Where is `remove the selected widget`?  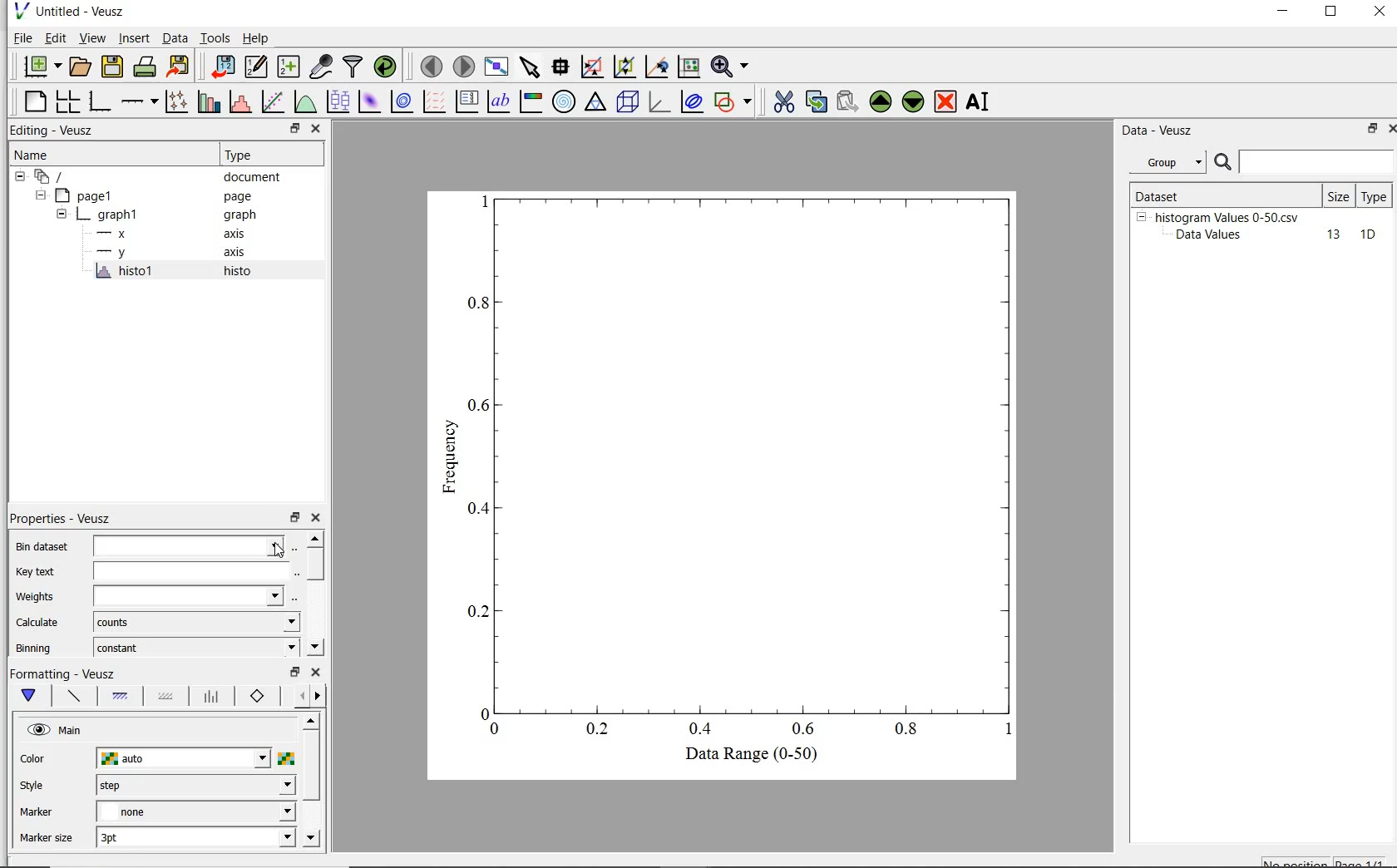 remove the selected widget is located at coordinates (945, 103).